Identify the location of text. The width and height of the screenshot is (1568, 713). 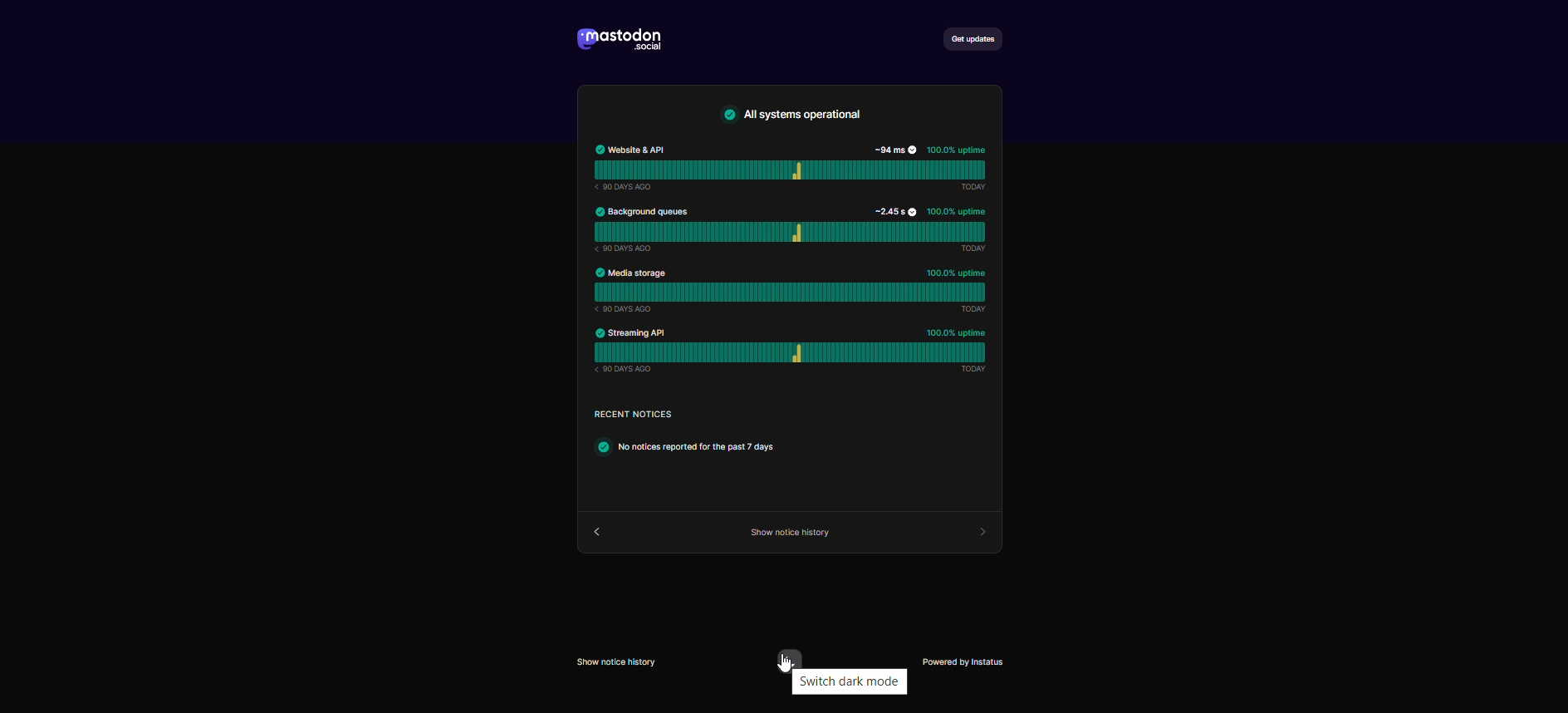
(790, 115).